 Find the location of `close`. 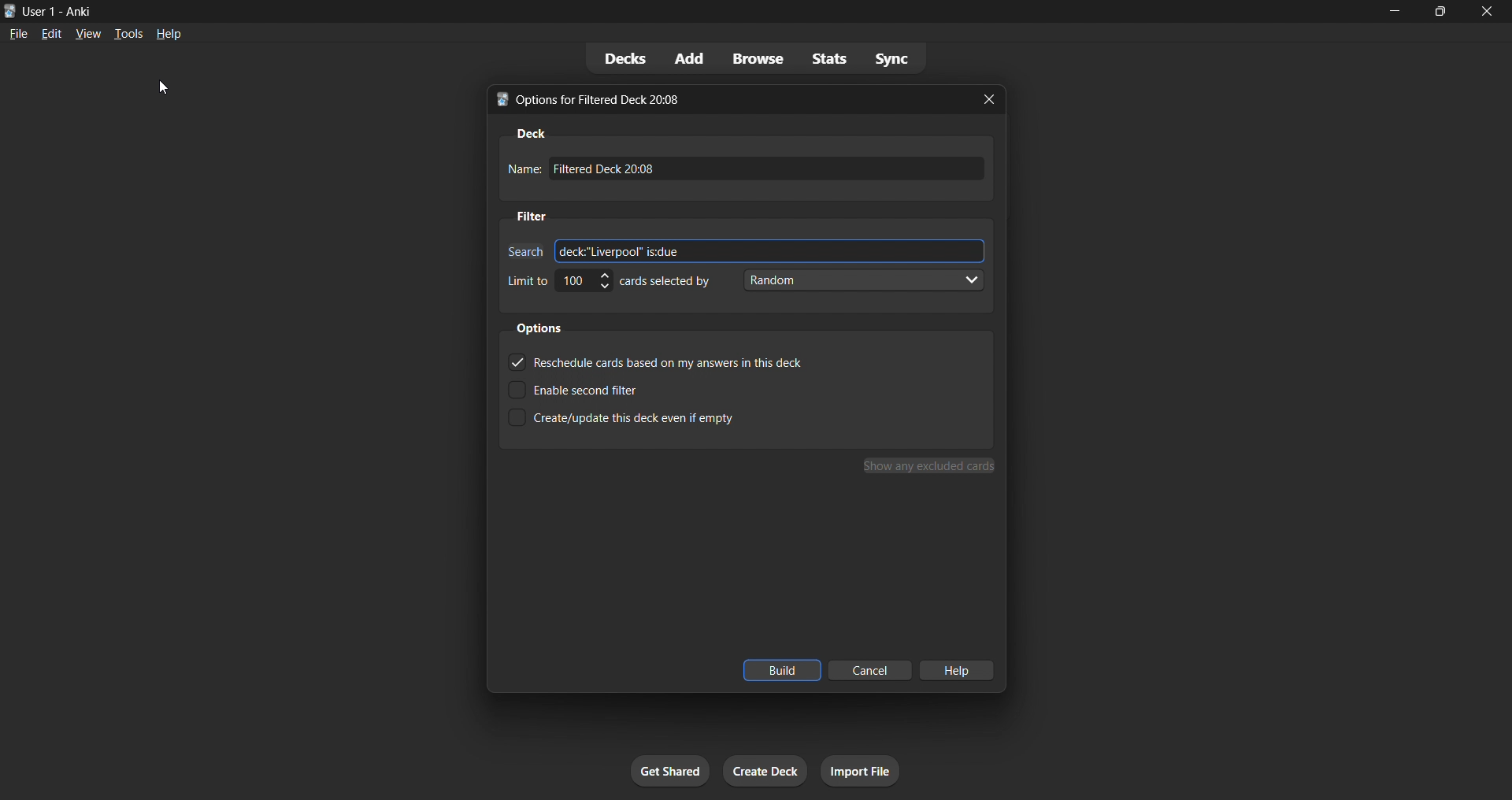

close is located at coordinates (1487, 11).